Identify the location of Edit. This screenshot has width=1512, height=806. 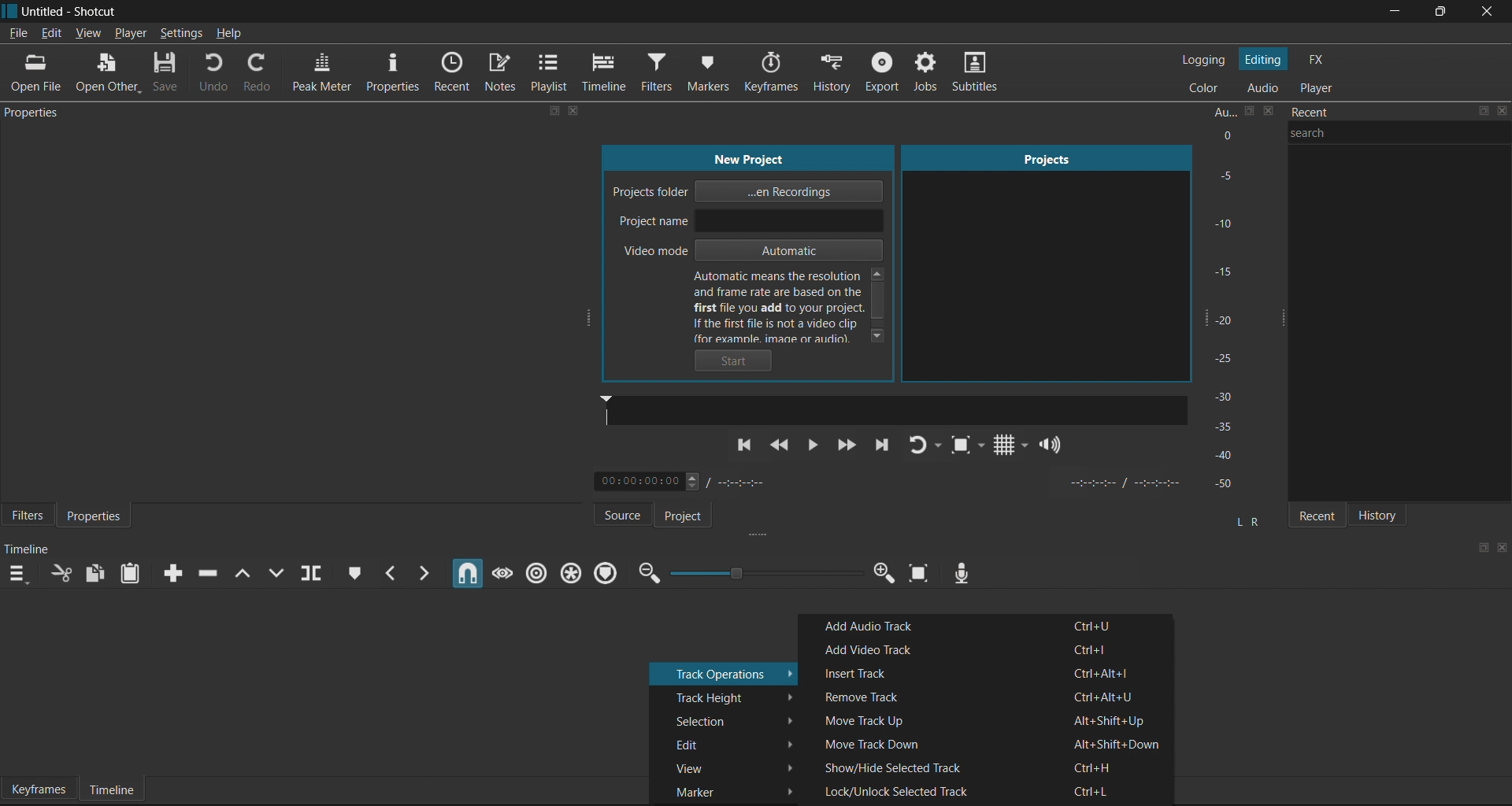
(51, 34).